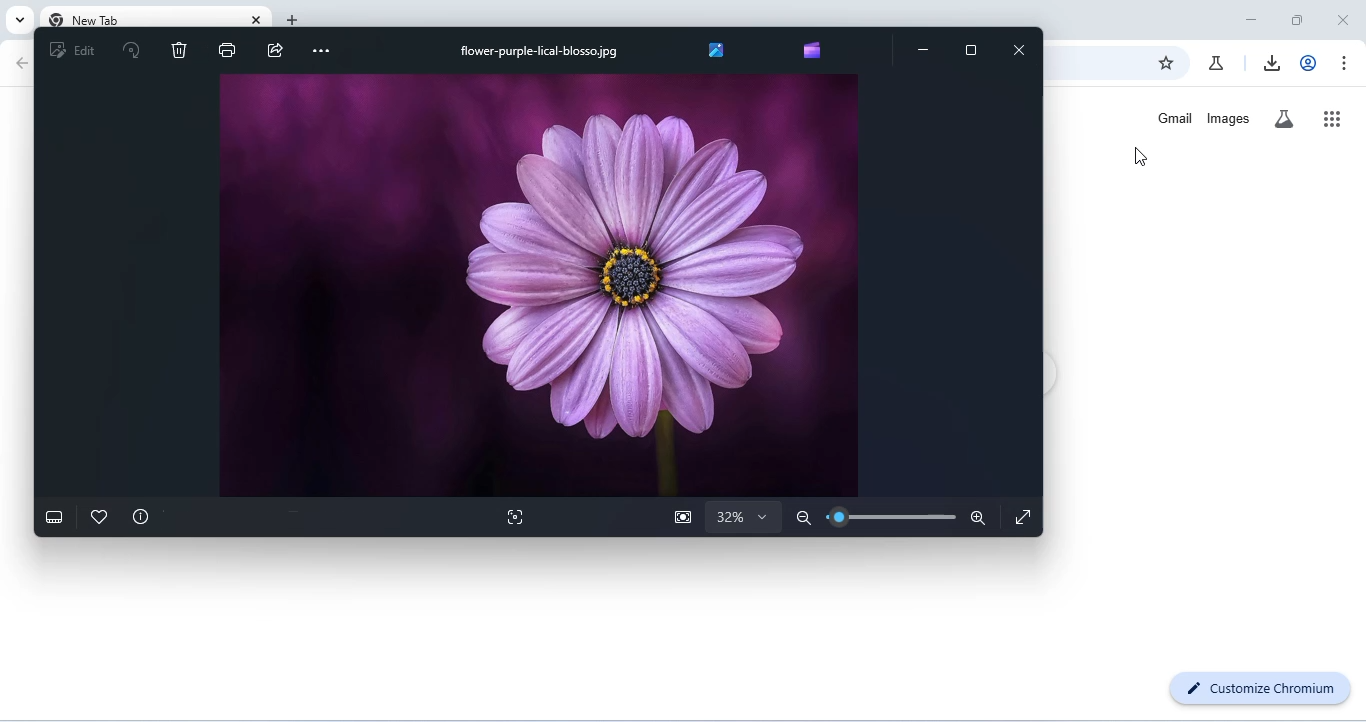 The image size is (1366, 722). What do you see at coordinates (717, 51) in the screenshot?
I see `browse all your photos and videos` at bounding box center [717, 51].